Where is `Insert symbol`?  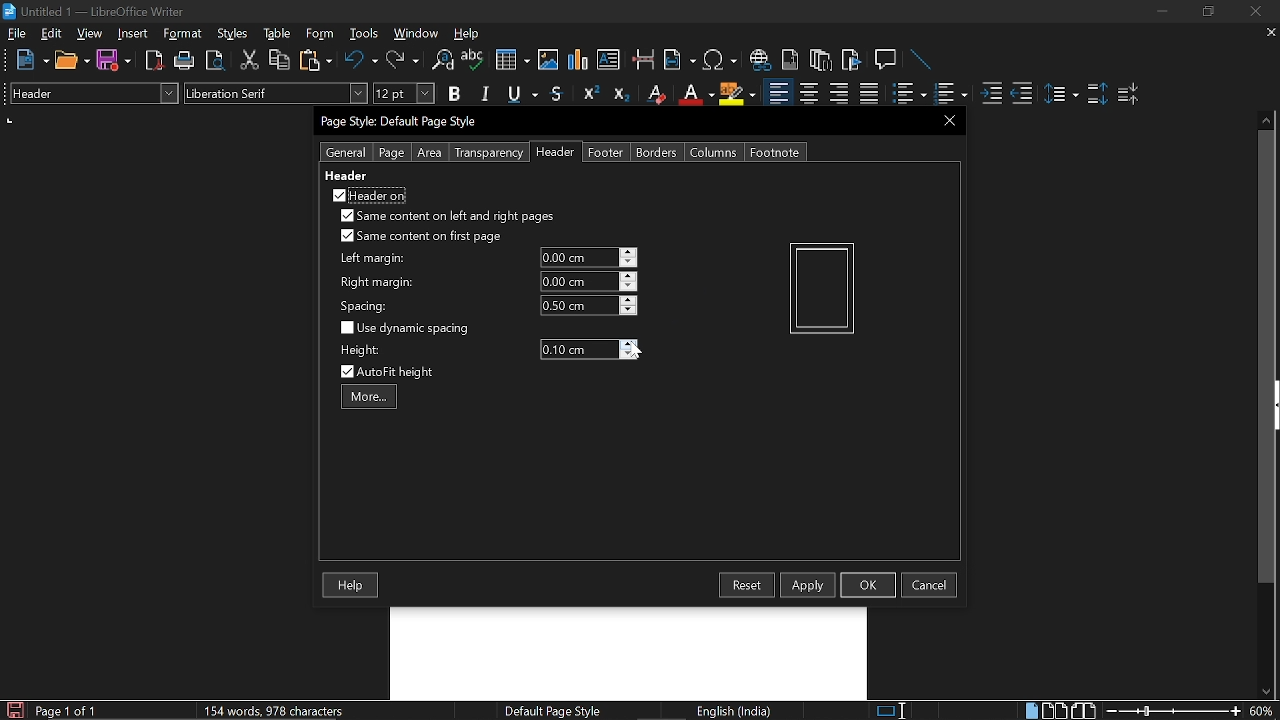 Insert symbol is located at coordinates (722, 60).